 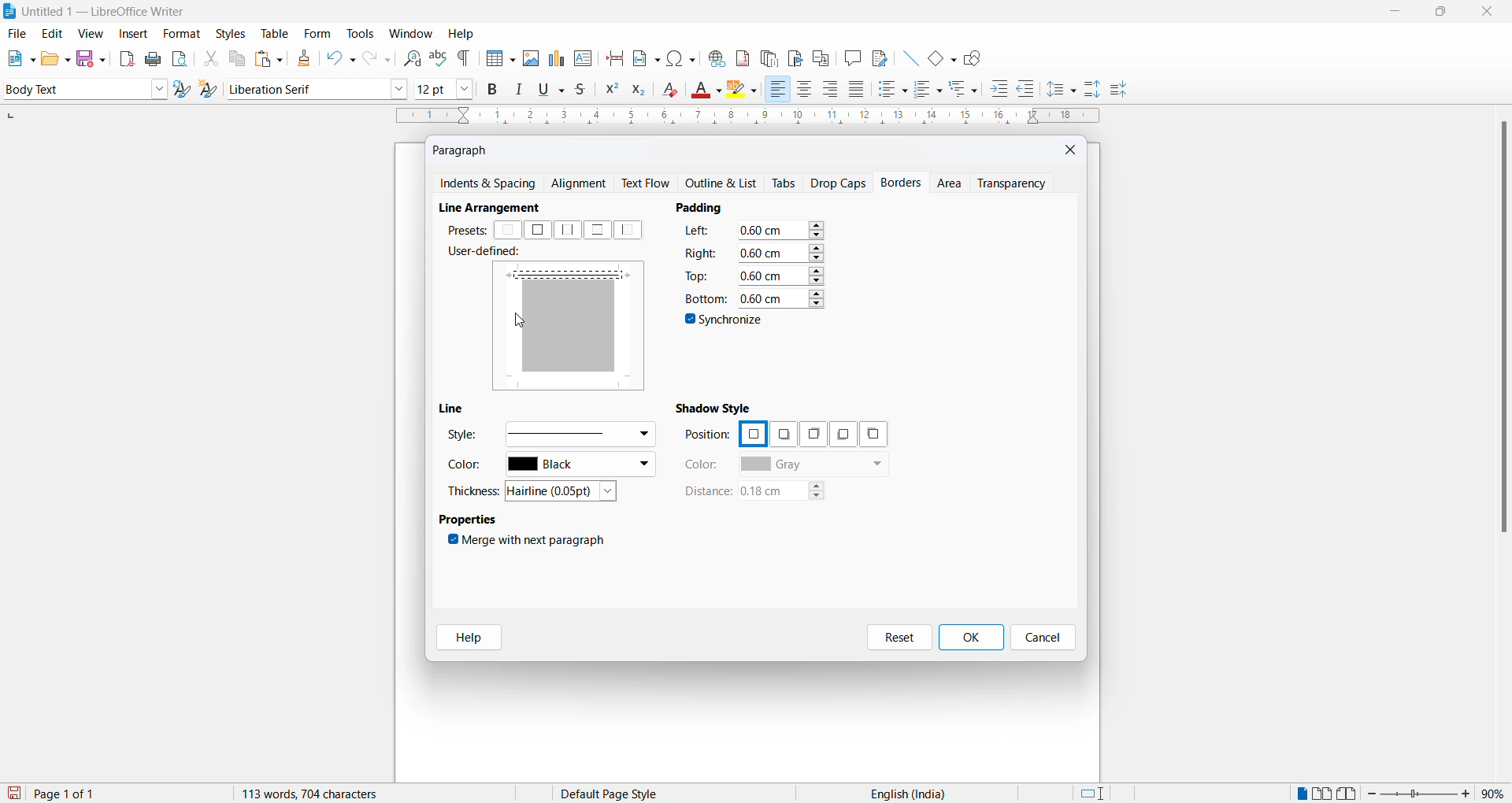 I want to click on syle, so click(x=462, y=437).